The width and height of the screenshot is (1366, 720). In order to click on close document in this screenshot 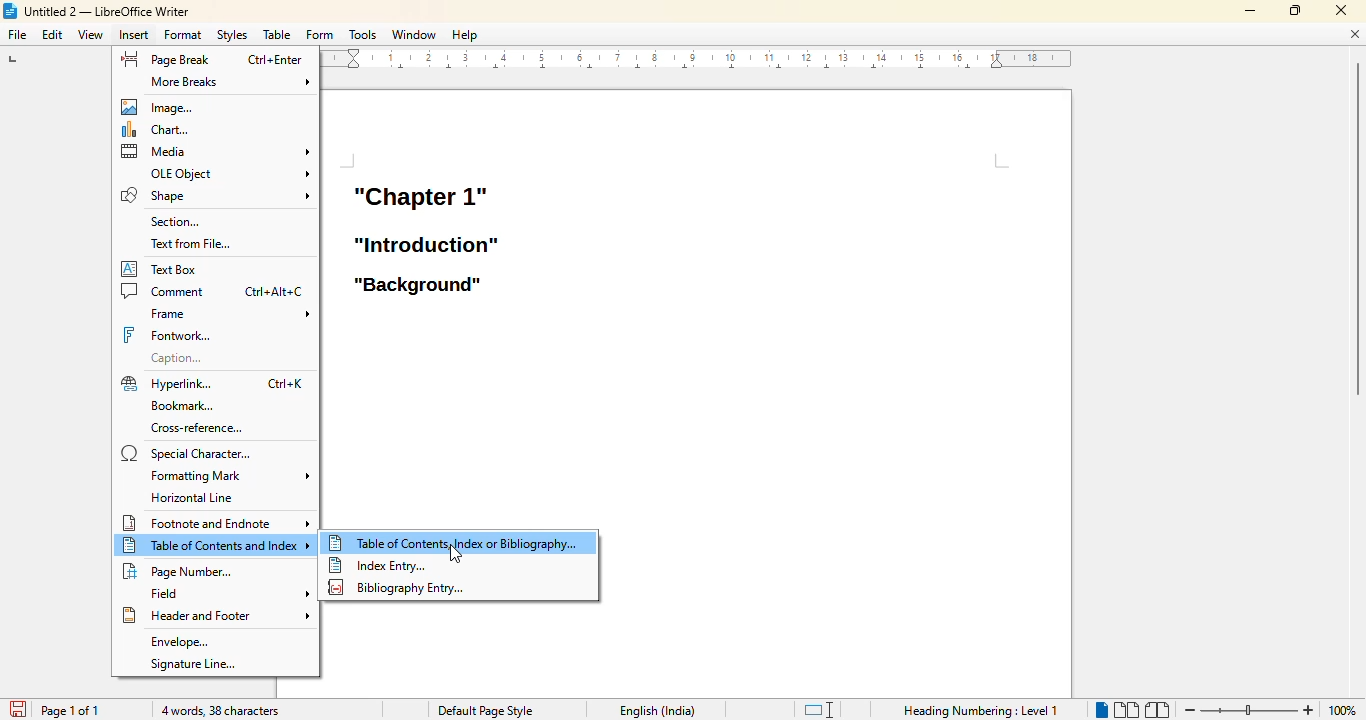, I will do `click(1354, 34)`.